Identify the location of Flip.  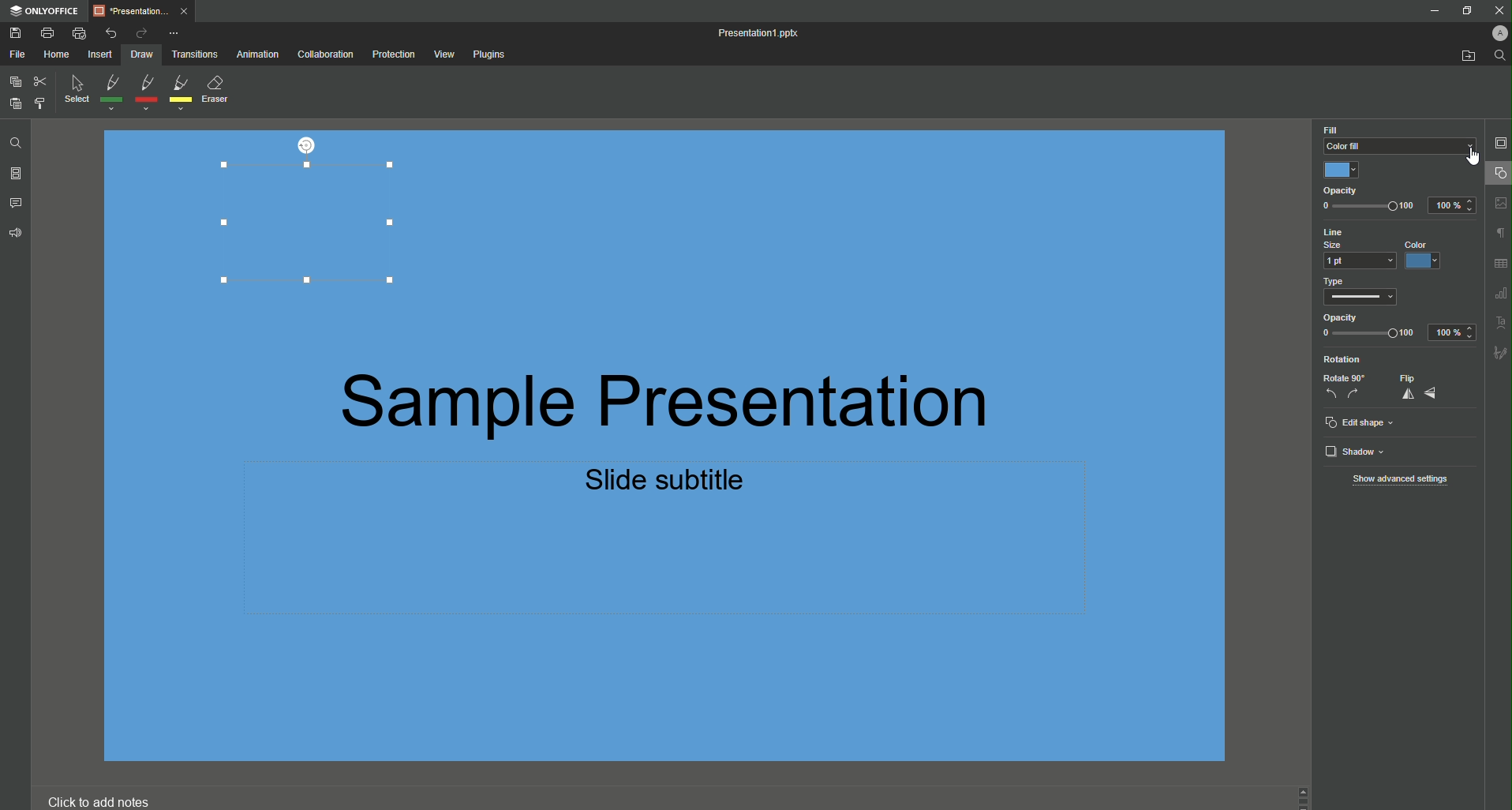
(1420, 387).